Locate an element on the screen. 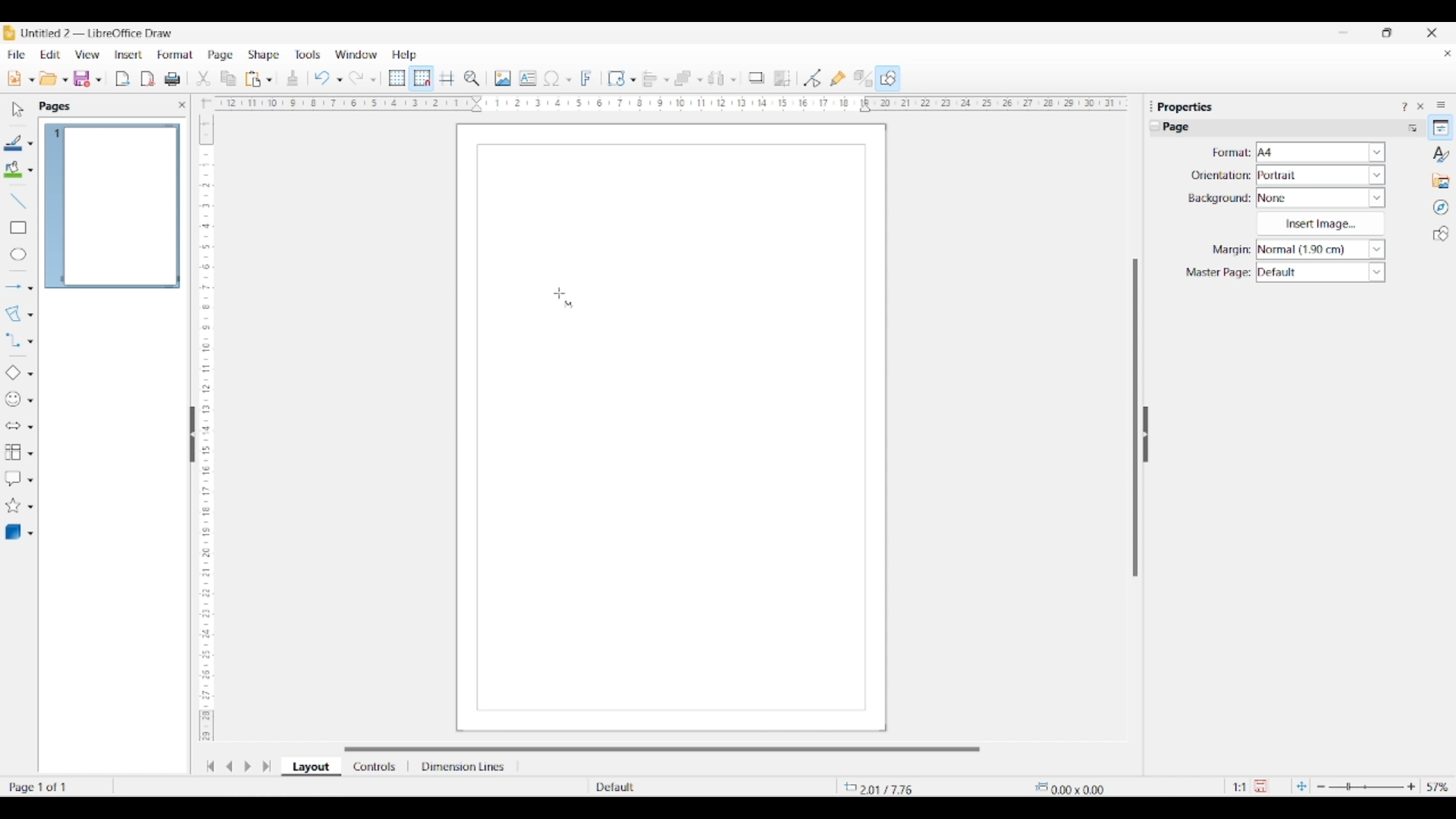 This screenshot has height=819, width=1456. Selected callout shape is located at coordinates (13, 479).